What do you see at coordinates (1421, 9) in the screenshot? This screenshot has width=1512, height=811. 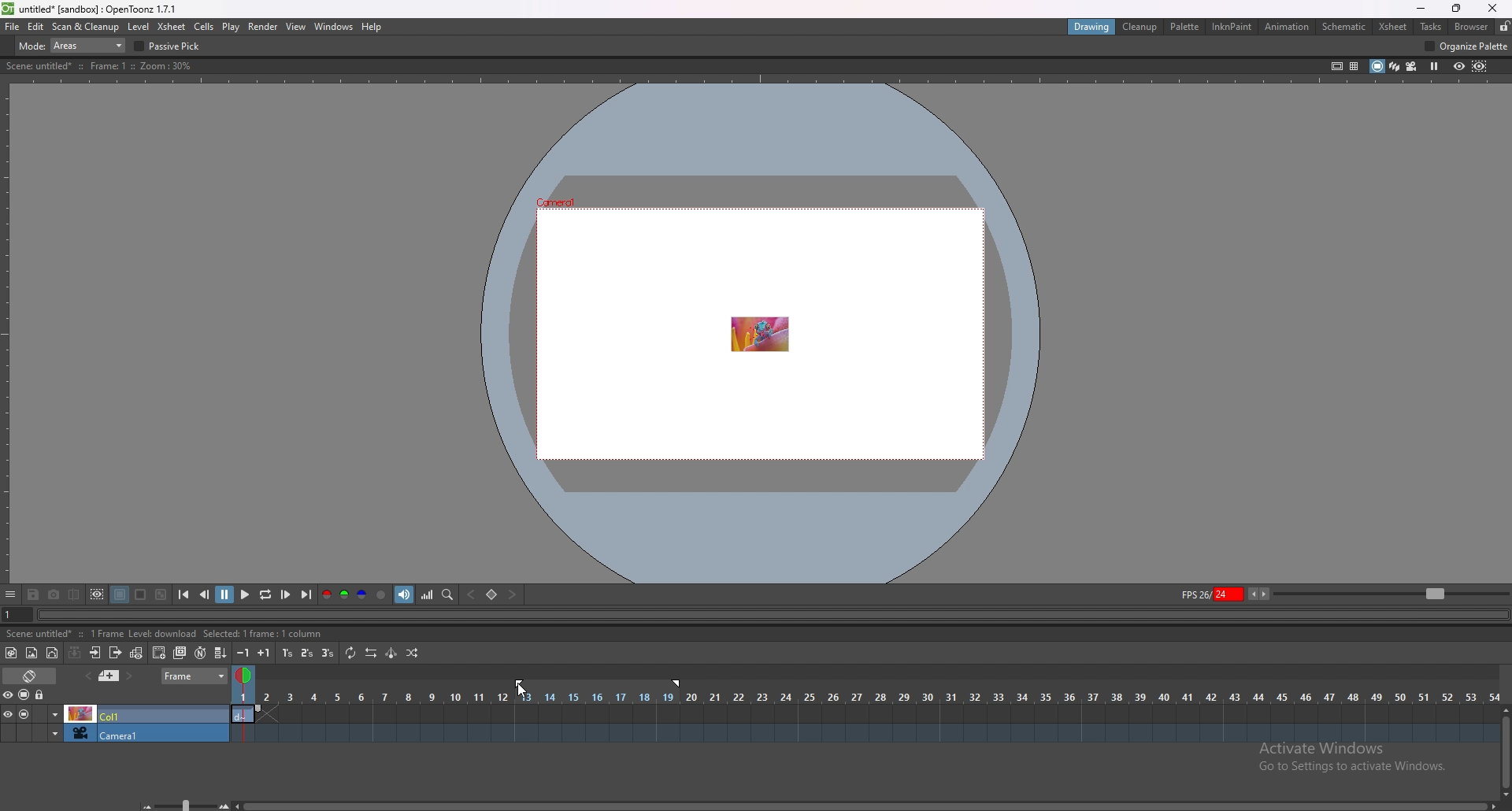 I see `minimize` at bounding box center [1421, 9].